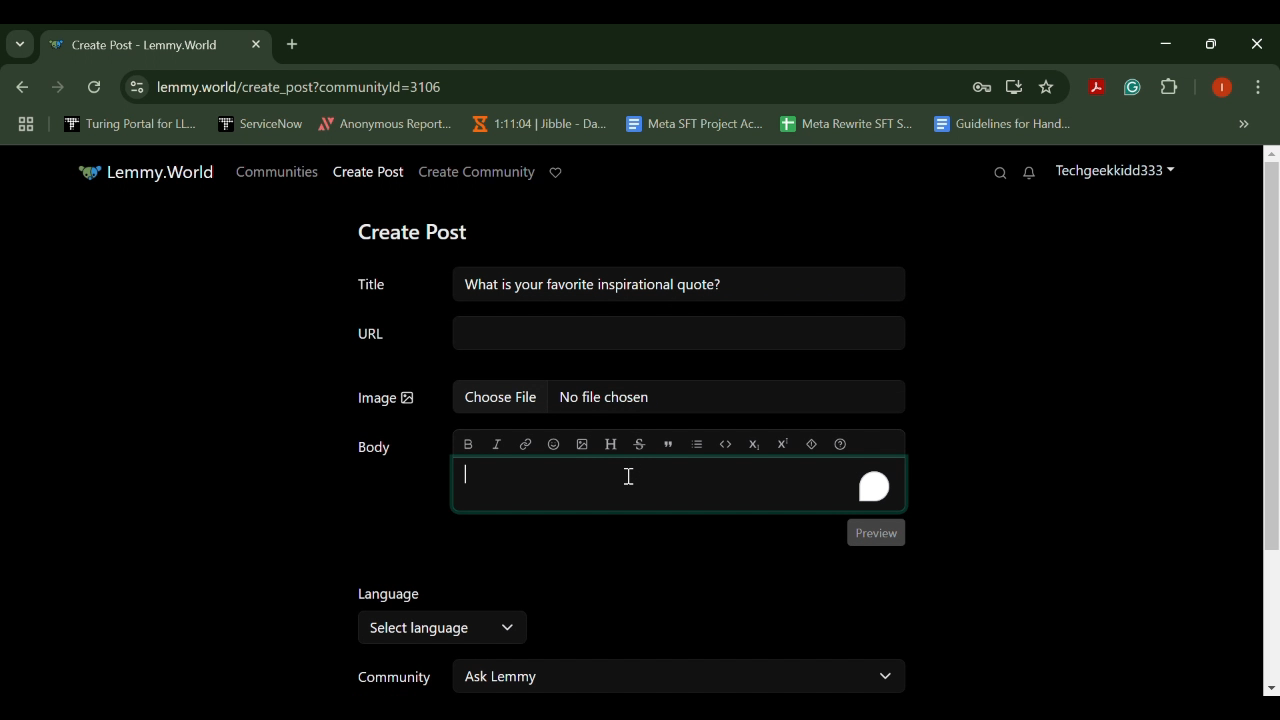 Image resolution: width=1280 pixels, height=720 pixels. What do you see at coordinates (1030, 174) in the screenshot?
I see `Notifications` at bounding box center [1030, 174].